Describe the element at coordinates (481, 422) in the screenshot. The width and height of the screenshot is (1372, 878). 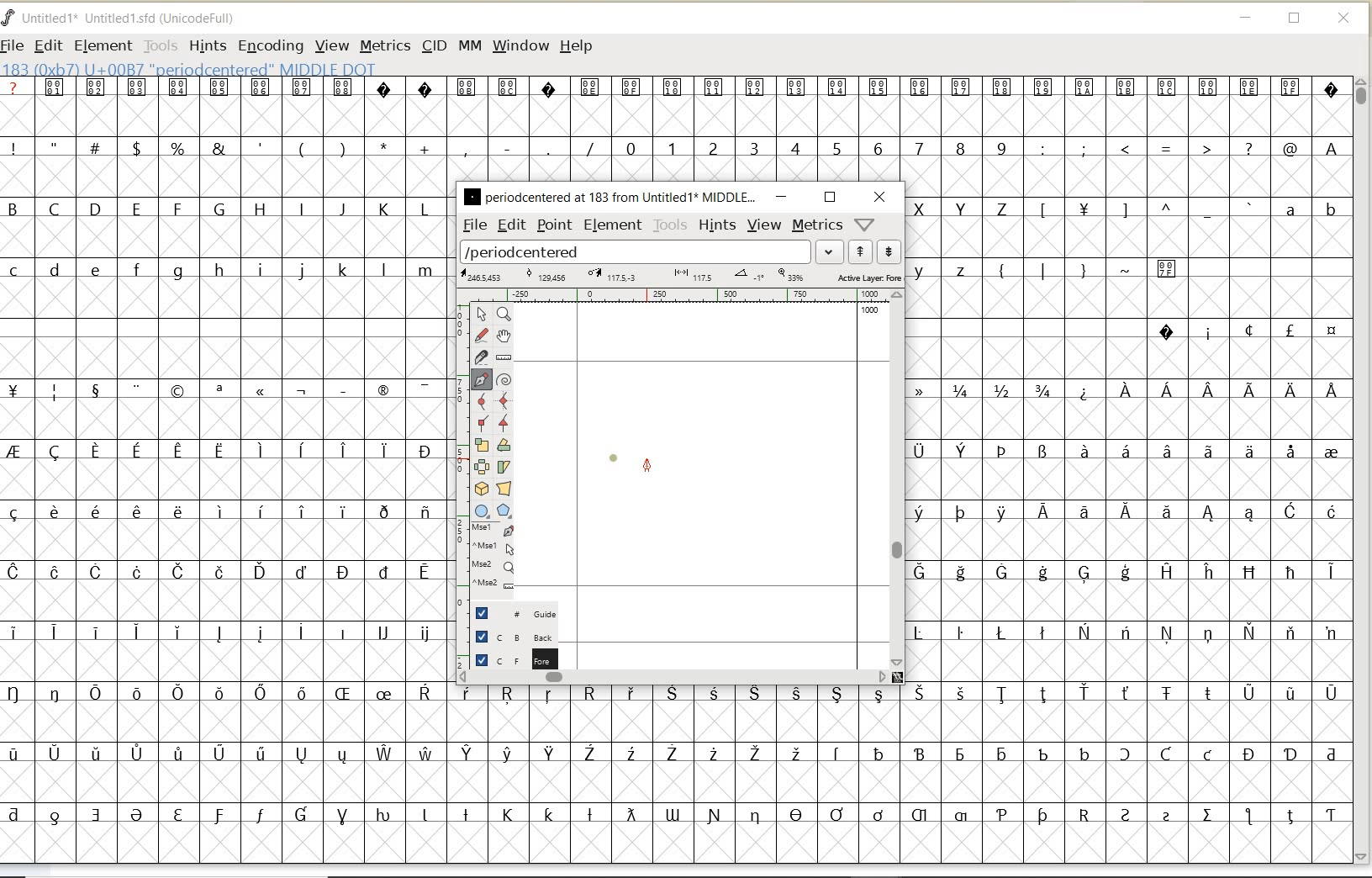
I see `Add a corner point` at that location.